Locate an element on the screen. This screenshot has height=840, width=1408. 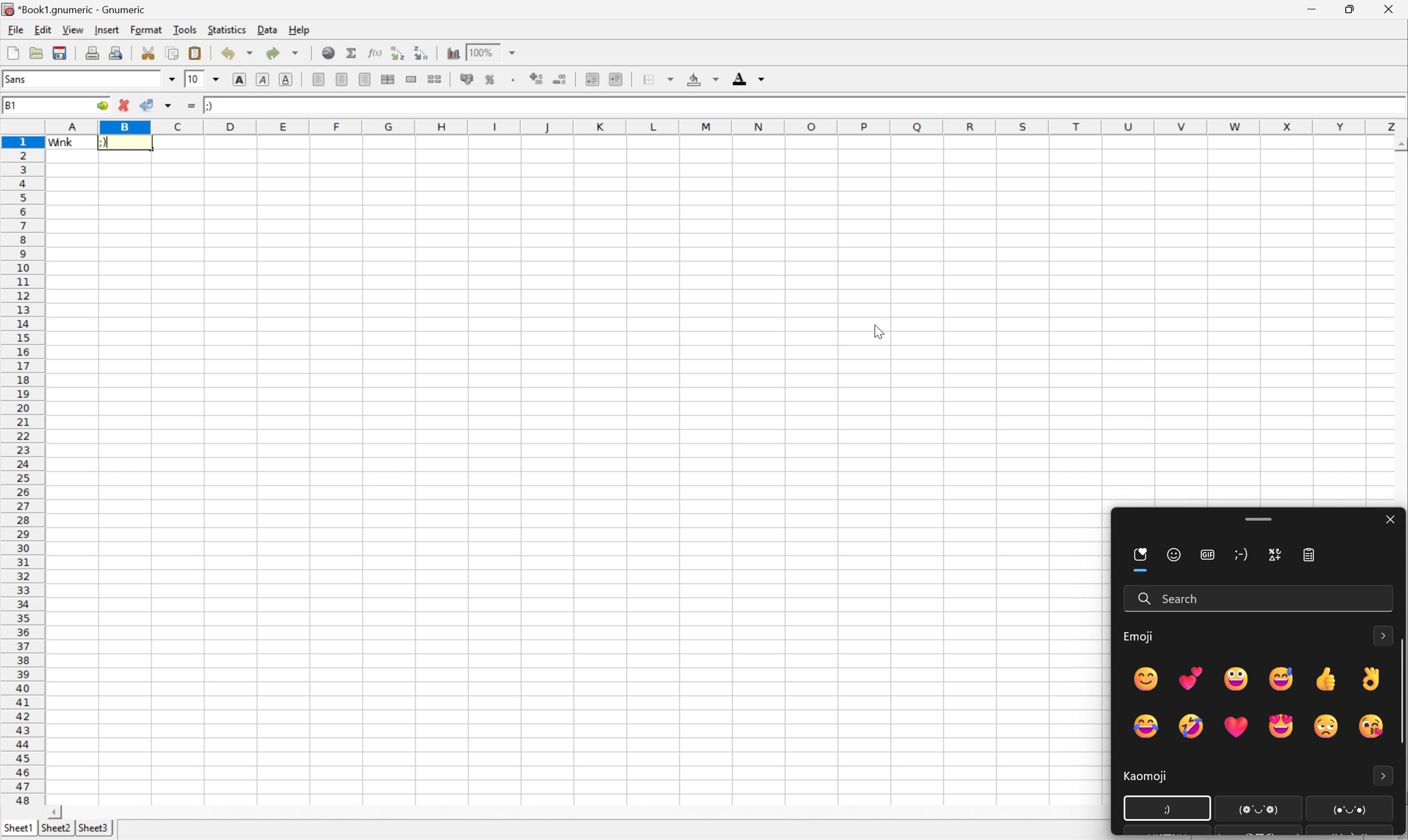
view is located at coordinates (71, 31).